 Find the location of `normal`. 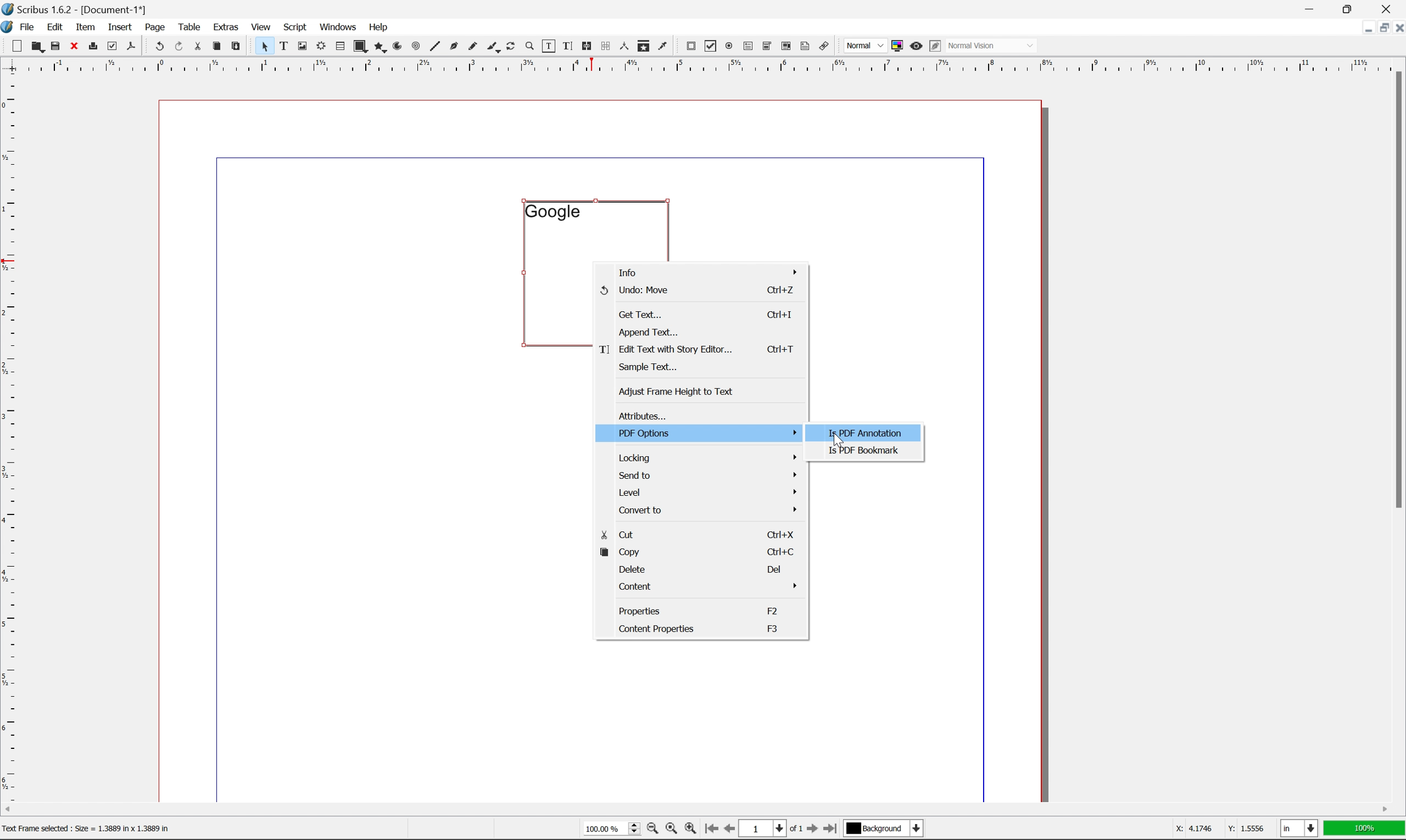

normal is located at coordinates (864, 45).